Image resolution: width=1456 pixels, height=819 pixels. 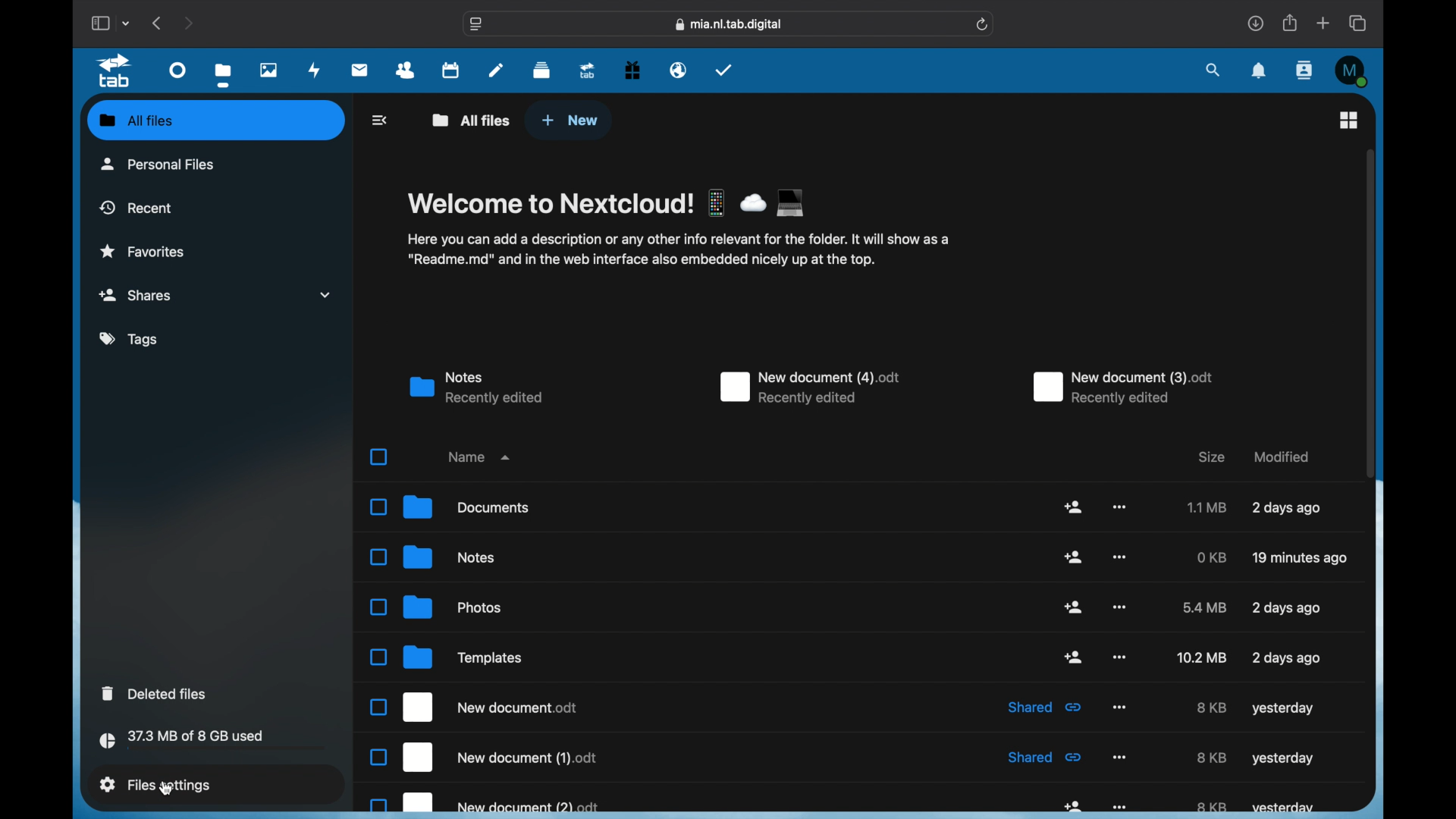 What do you see at coordinates (1120, 758) in the screenshot?
I see `more options` at bounding box center [1120, 758].